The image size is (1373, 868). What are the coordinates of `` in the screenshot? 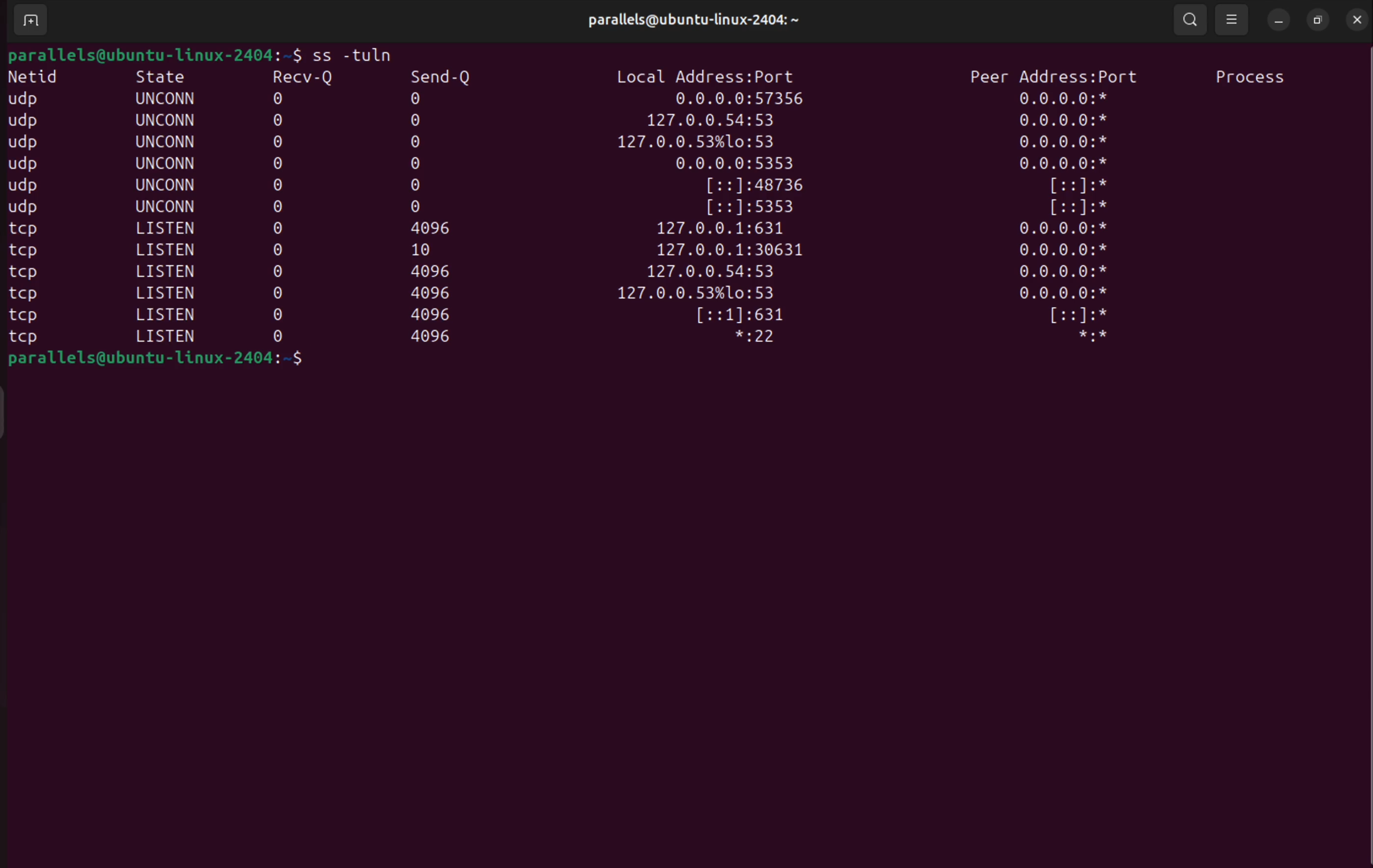 It's located at (23, 188).